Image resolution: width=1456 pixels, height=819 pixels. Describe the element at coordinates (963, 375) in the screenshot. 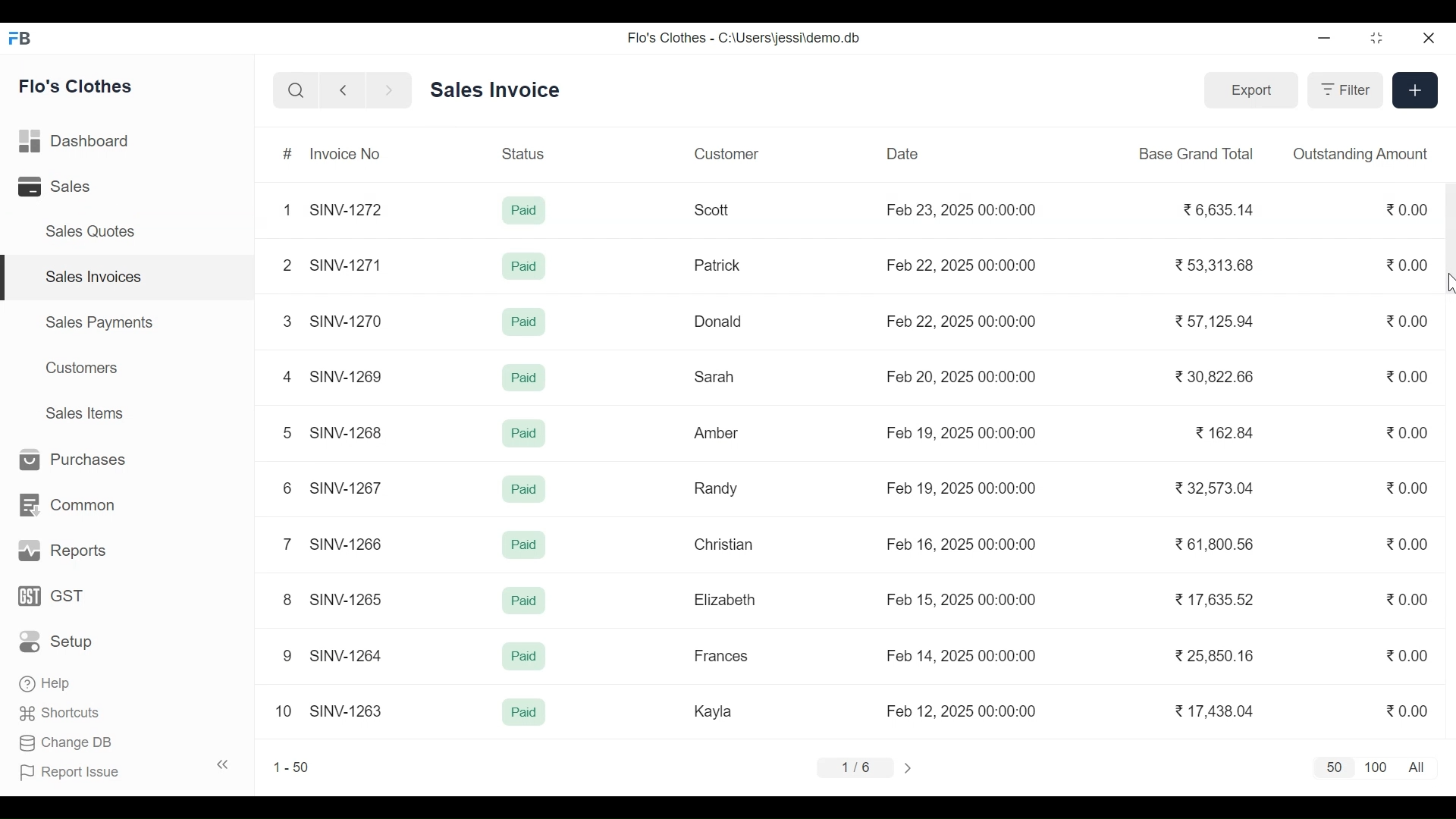

I see `Feb 20, 2025 00:00:00` at that location.